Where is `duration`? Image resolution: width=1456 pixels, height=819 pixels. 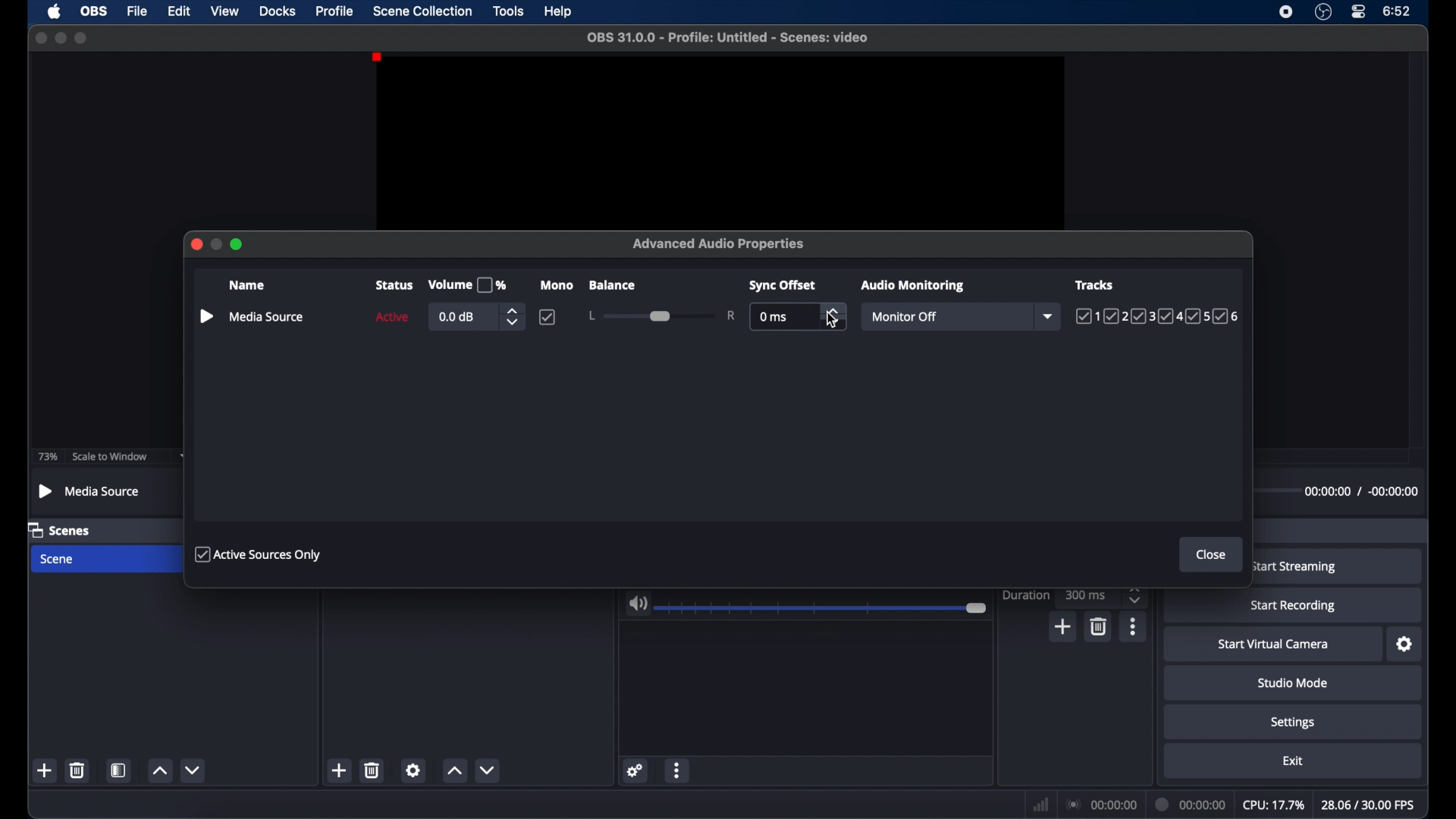
duration is located at coordinates (1027, 594).